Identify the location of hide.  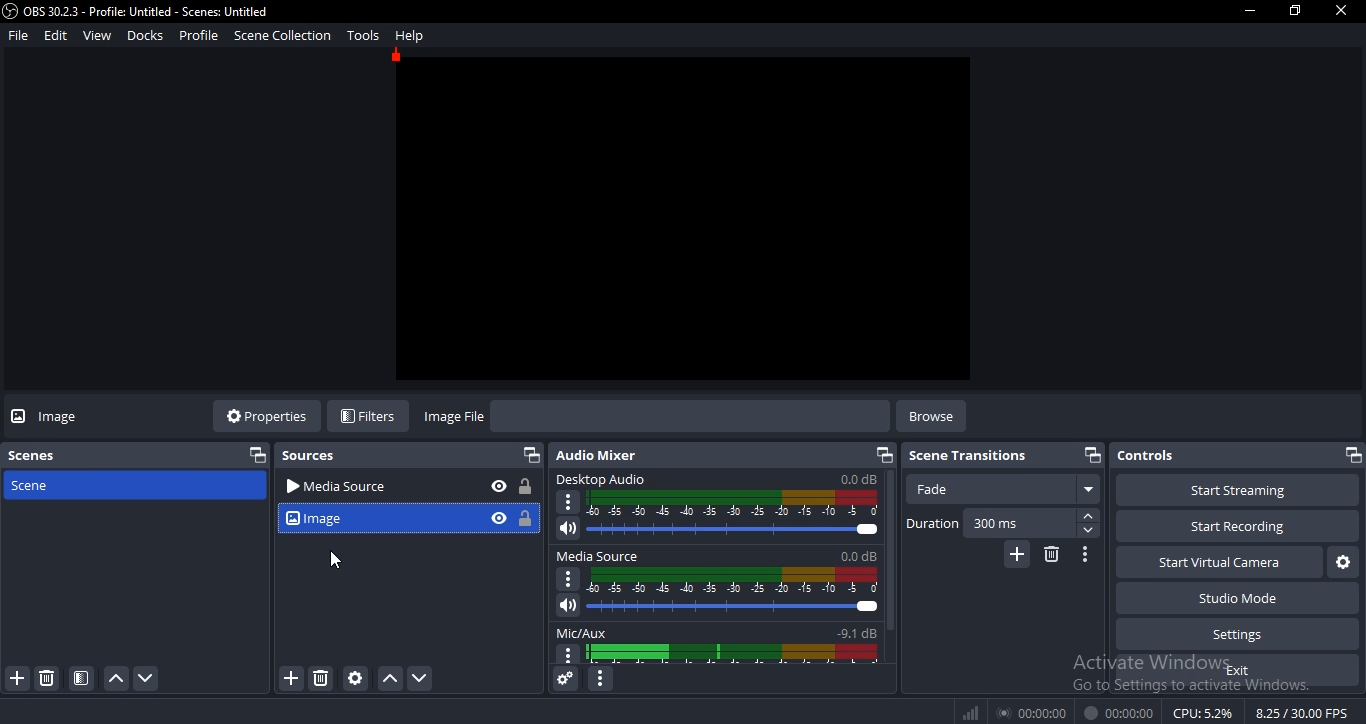
(497, 487).